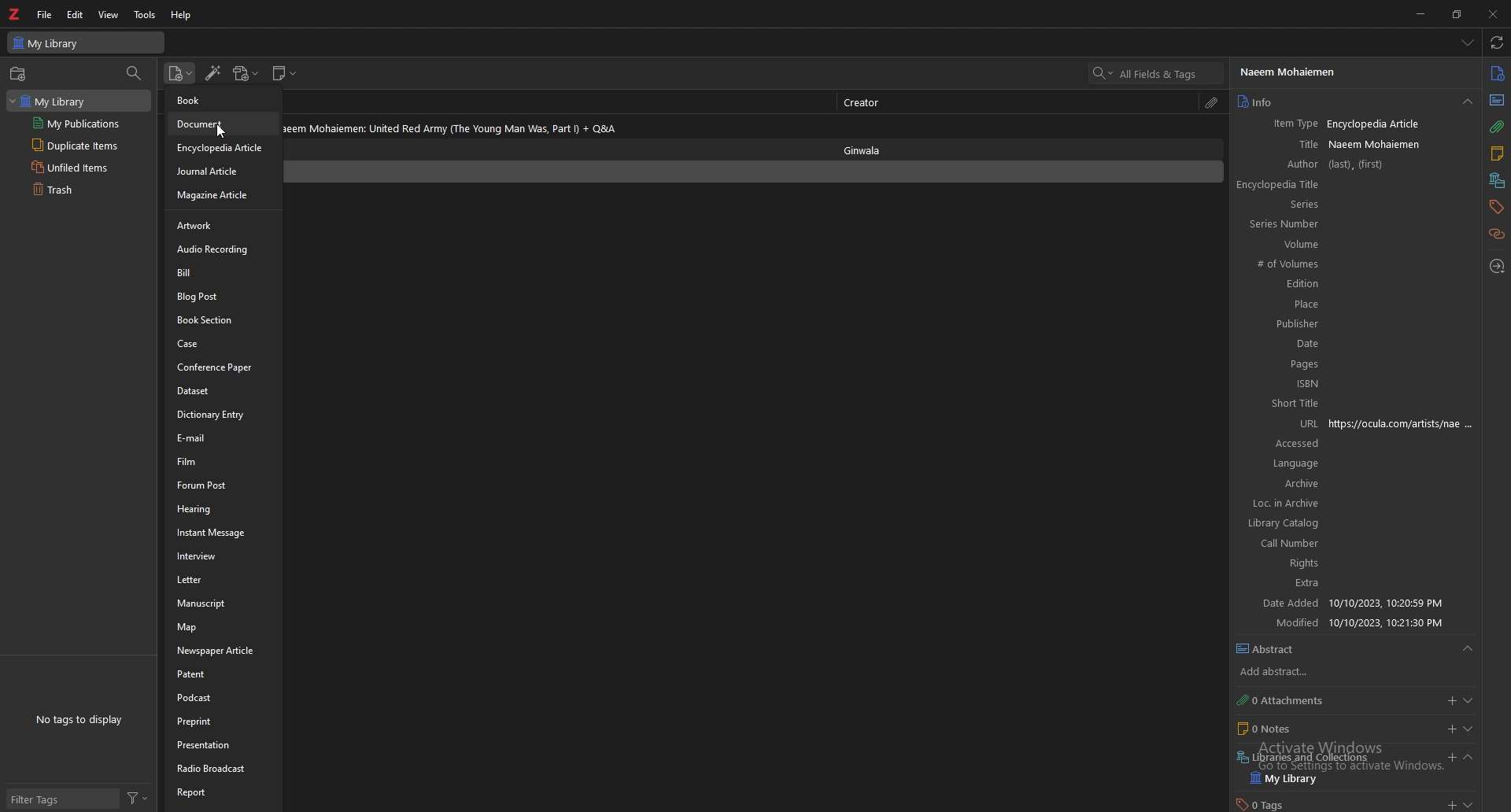 This screenshot has width=1511, height=812. What do you see at coordinates (1498, 266) in the screenshot?
I see `locate` at bounding box center [1498, 266].